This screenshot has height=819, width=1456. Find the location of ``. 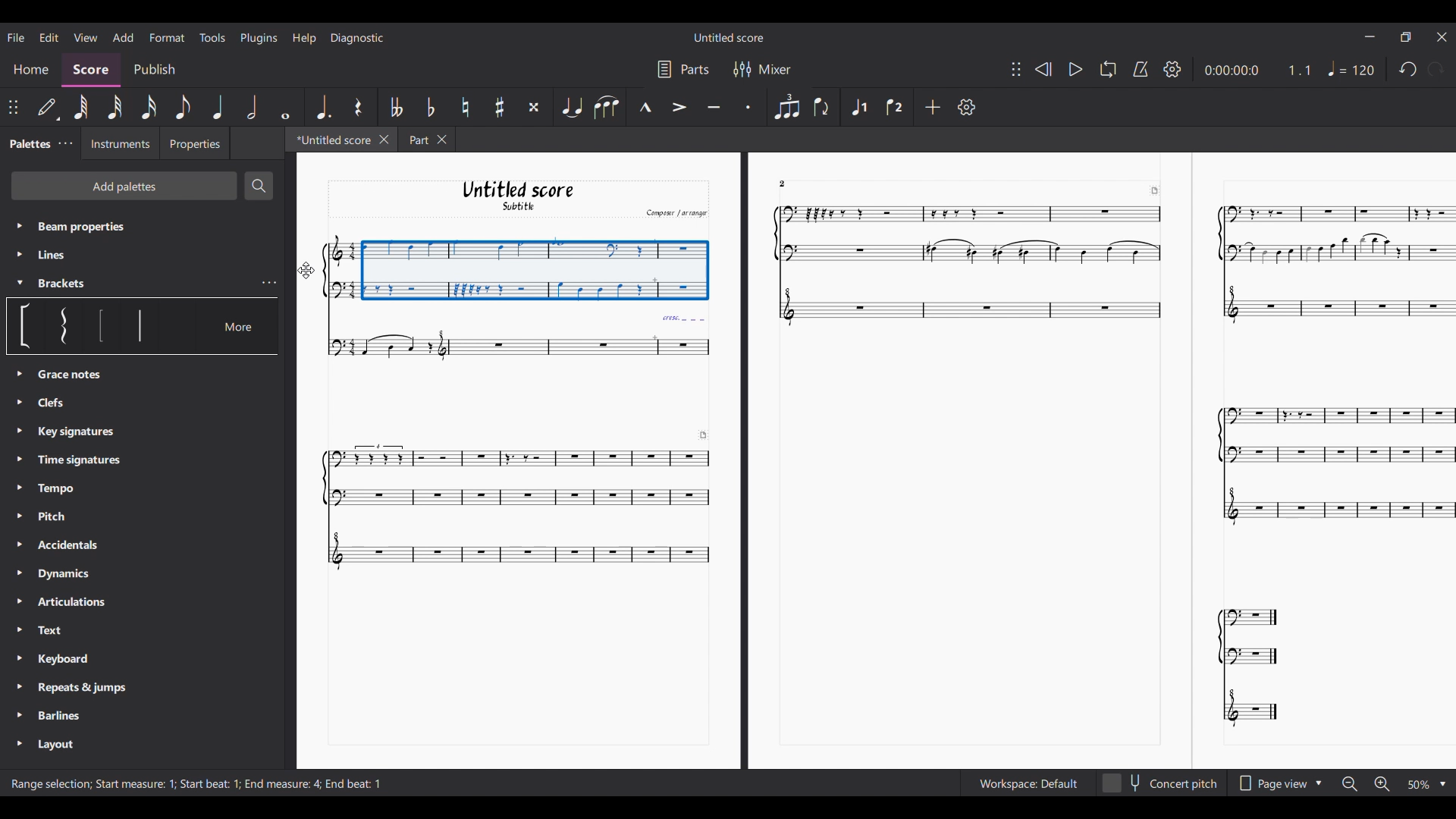

 is located at coordinates (16, 485).